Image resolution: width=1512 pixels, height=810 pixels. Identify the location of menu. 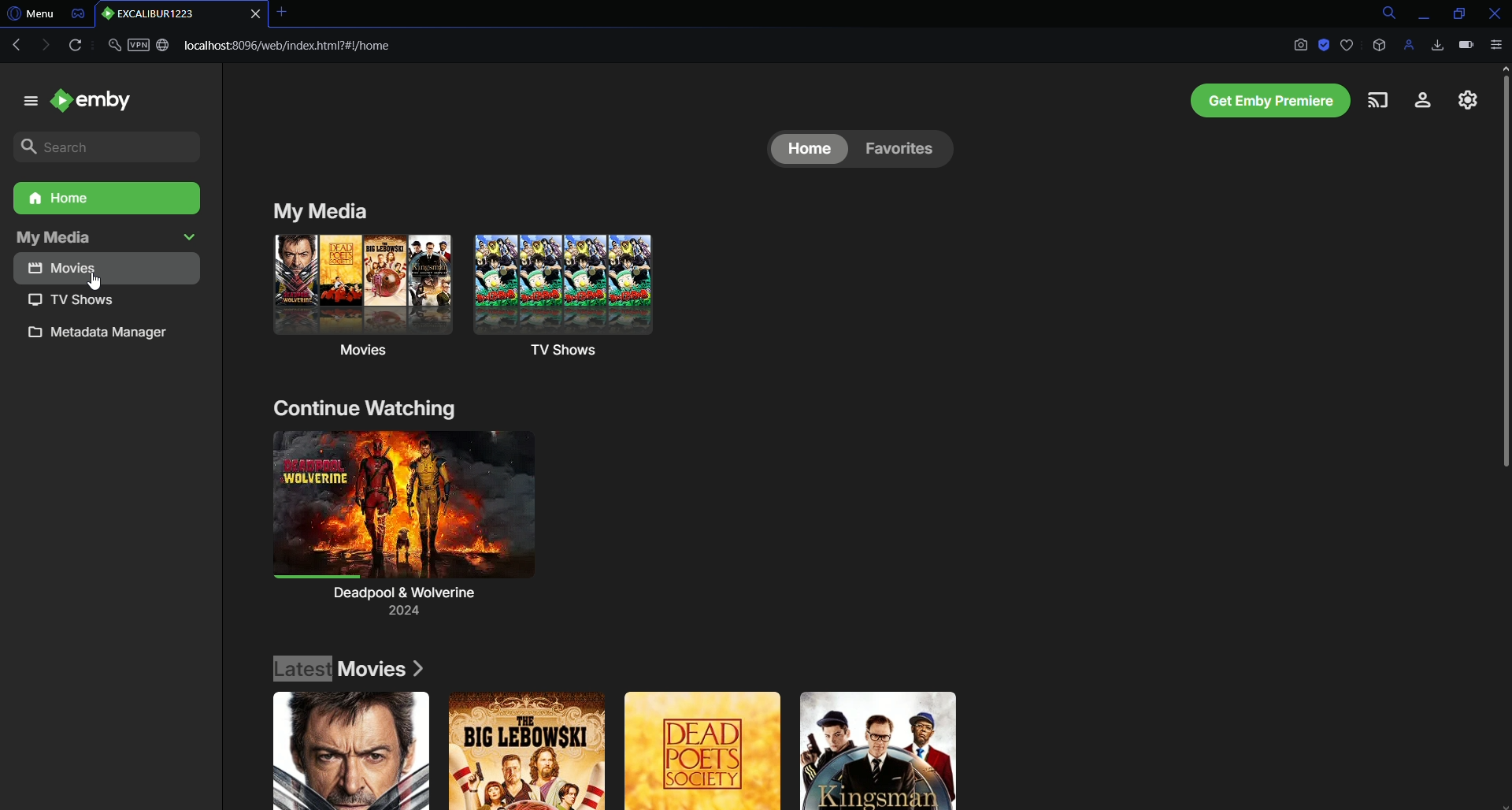
(24, 100).